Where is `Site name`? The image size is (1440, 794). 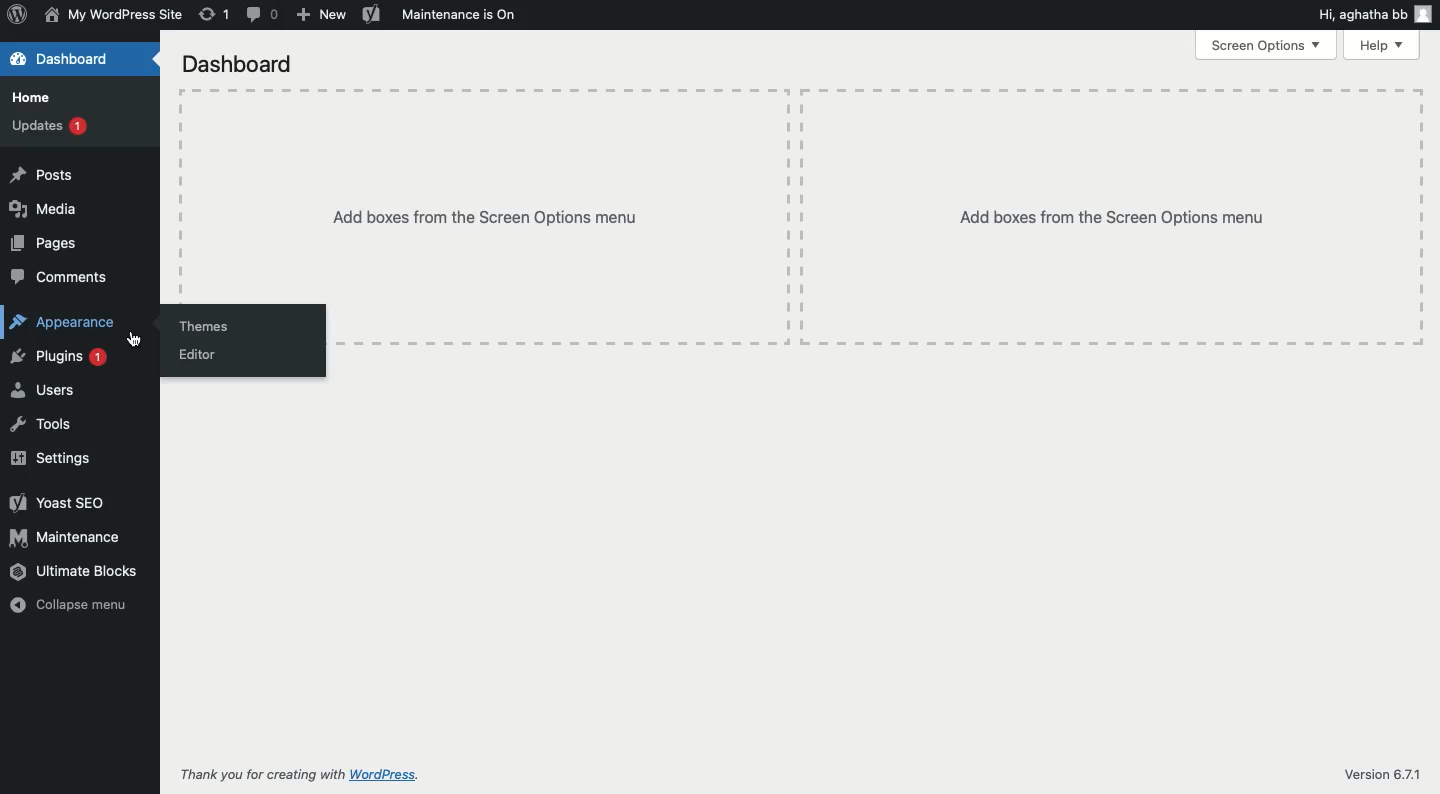
Site name is located at coordinates (110, 15).